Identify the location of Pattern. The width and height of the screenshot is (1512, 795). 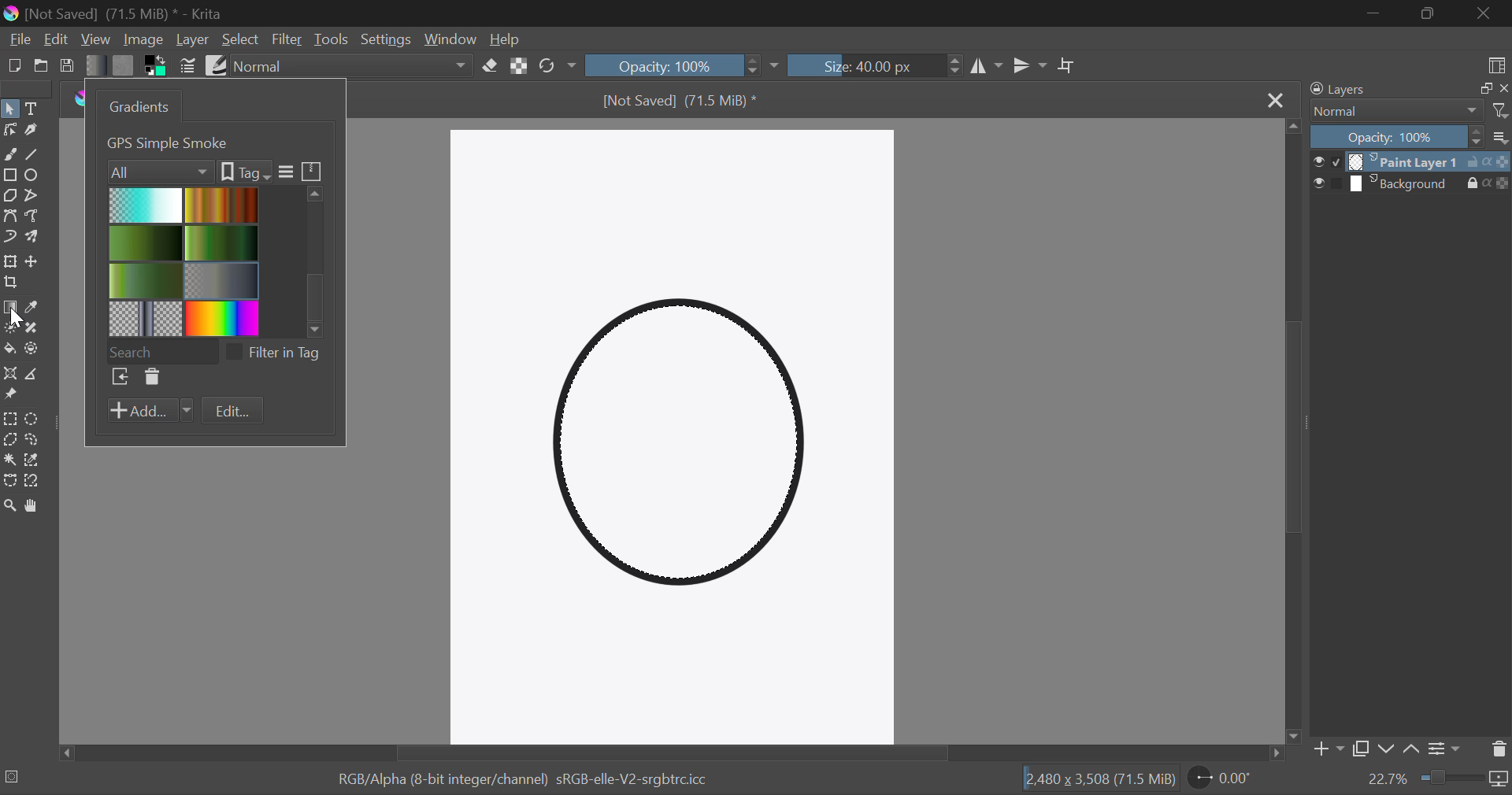
(124, 66).